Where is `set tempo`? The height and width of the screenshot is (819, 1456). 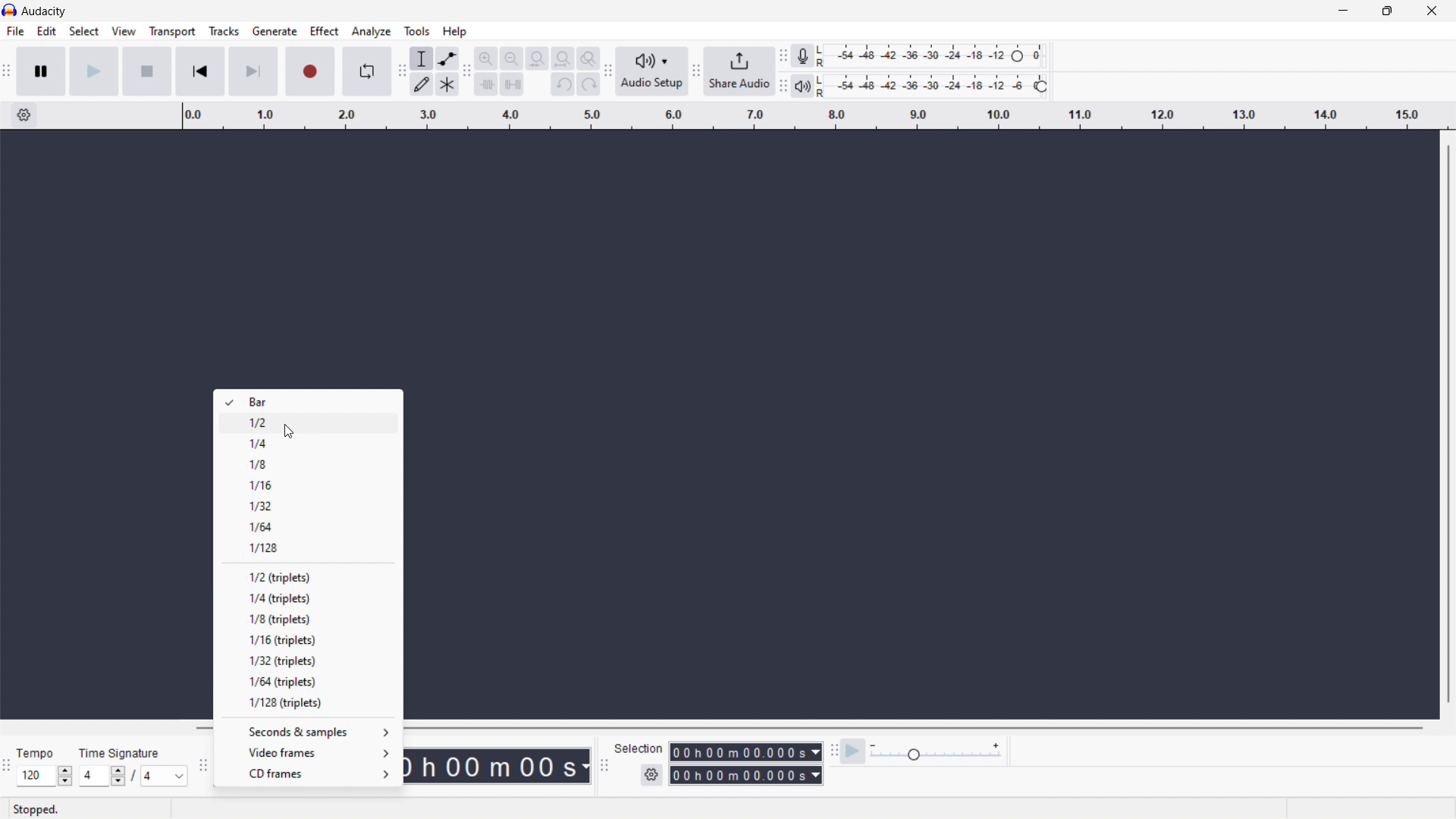
set tempo is located at coordinates (44, 776).